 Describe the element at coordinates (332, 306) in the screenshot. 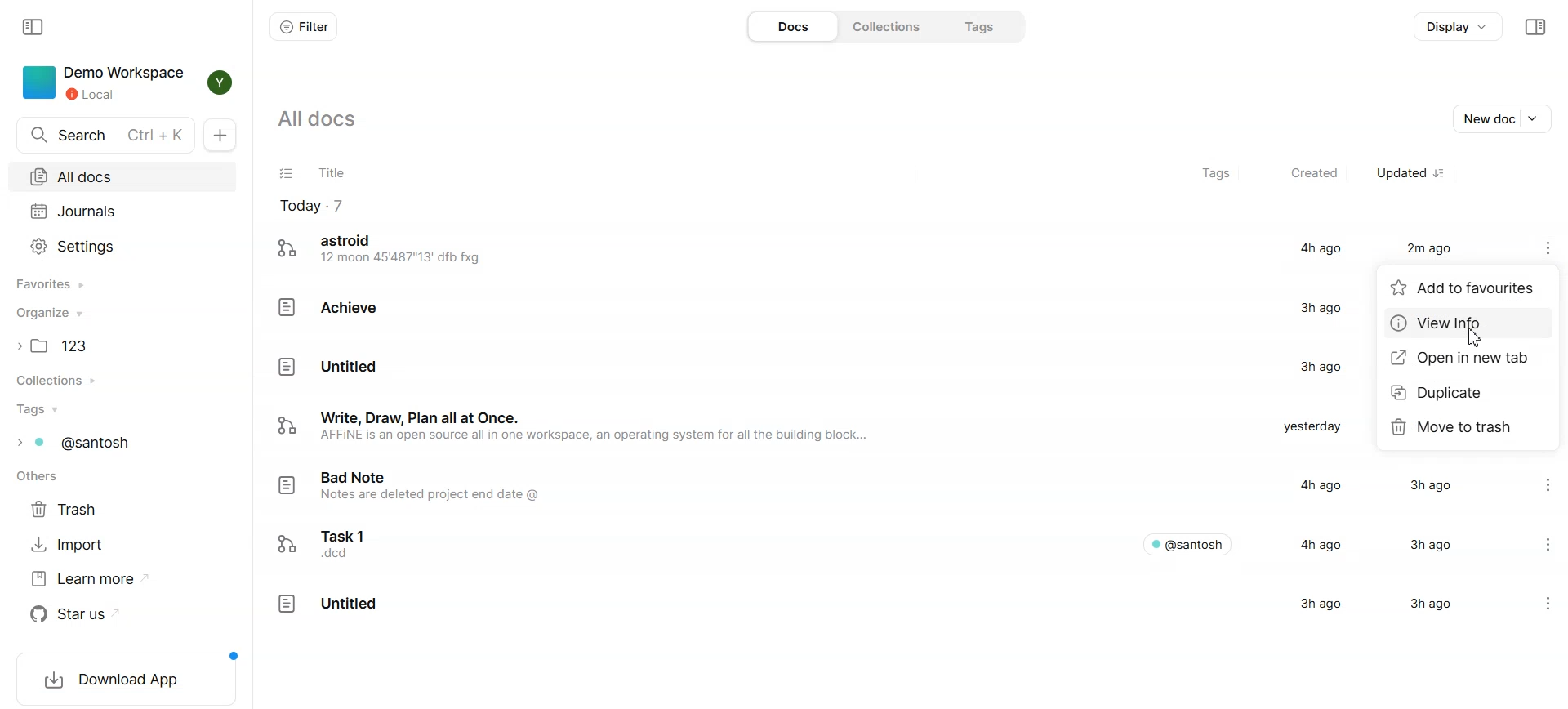

I see `Achieve` at that location.